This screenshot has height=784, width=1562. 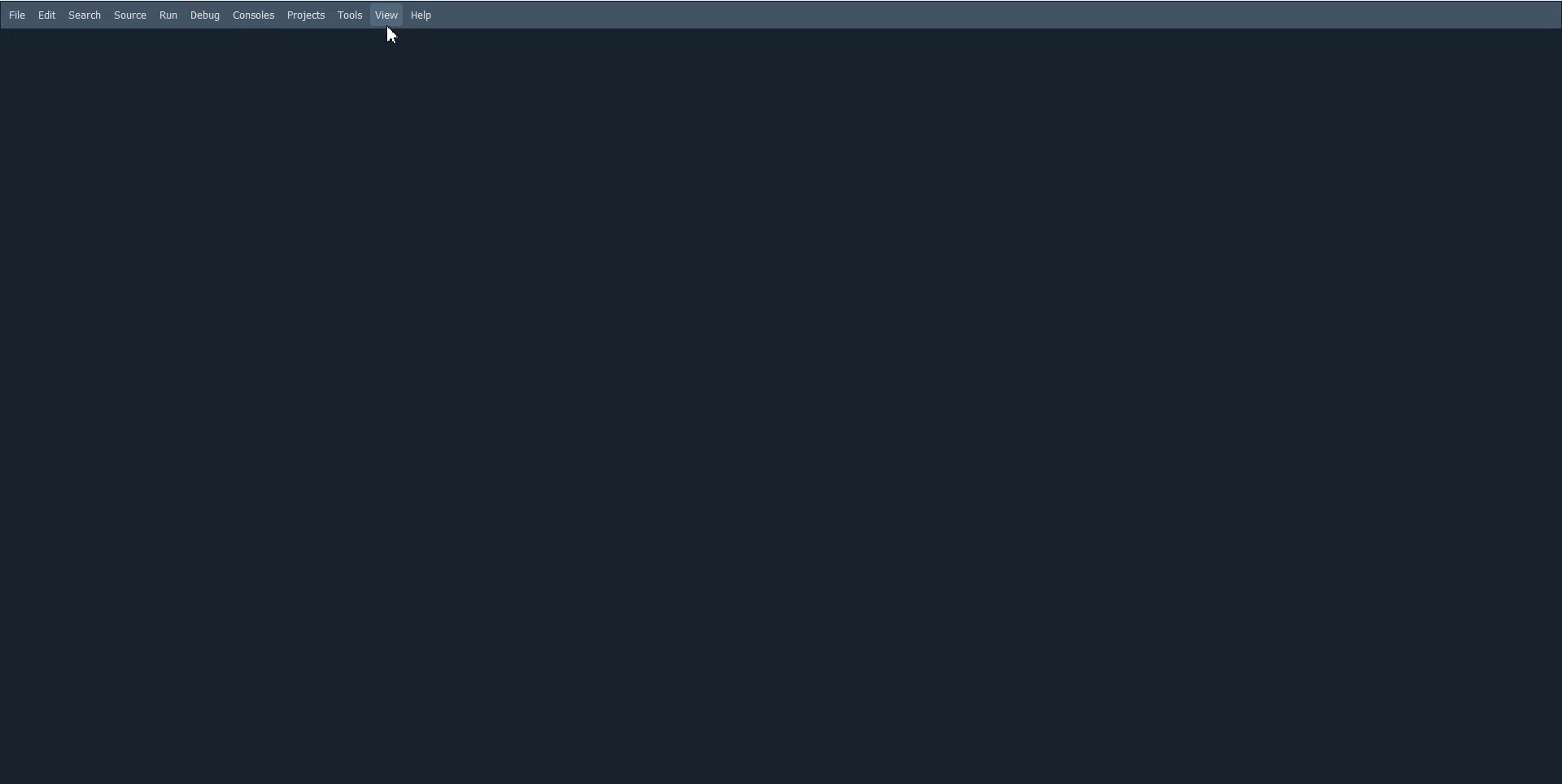 What do you see at coordinates (129, 15) in the screenshot?
I see `Source` at bounding box center [129, 15].